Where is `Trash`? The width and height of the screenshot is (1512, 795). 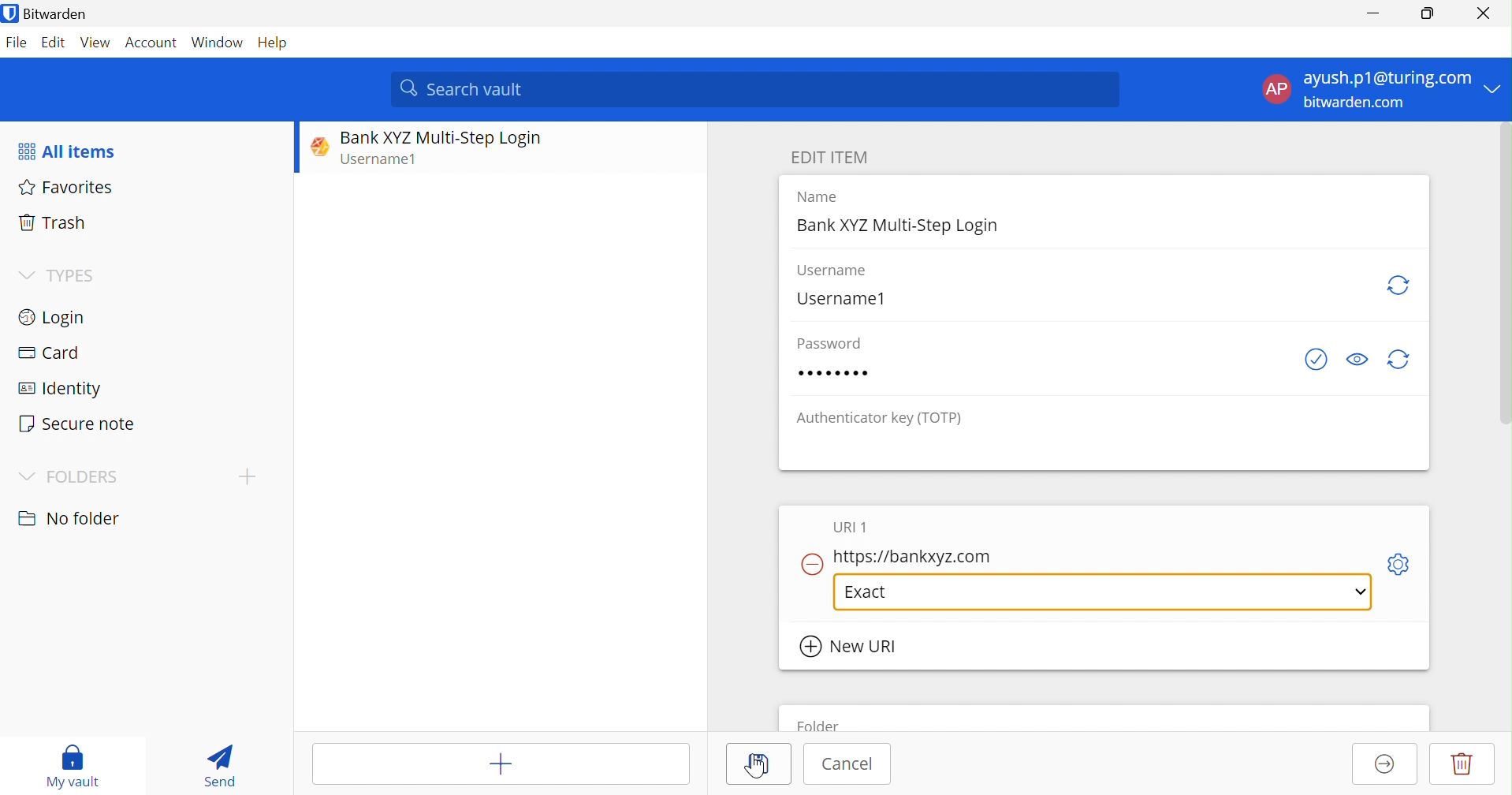
Trash is located at coordinates (51, 220).